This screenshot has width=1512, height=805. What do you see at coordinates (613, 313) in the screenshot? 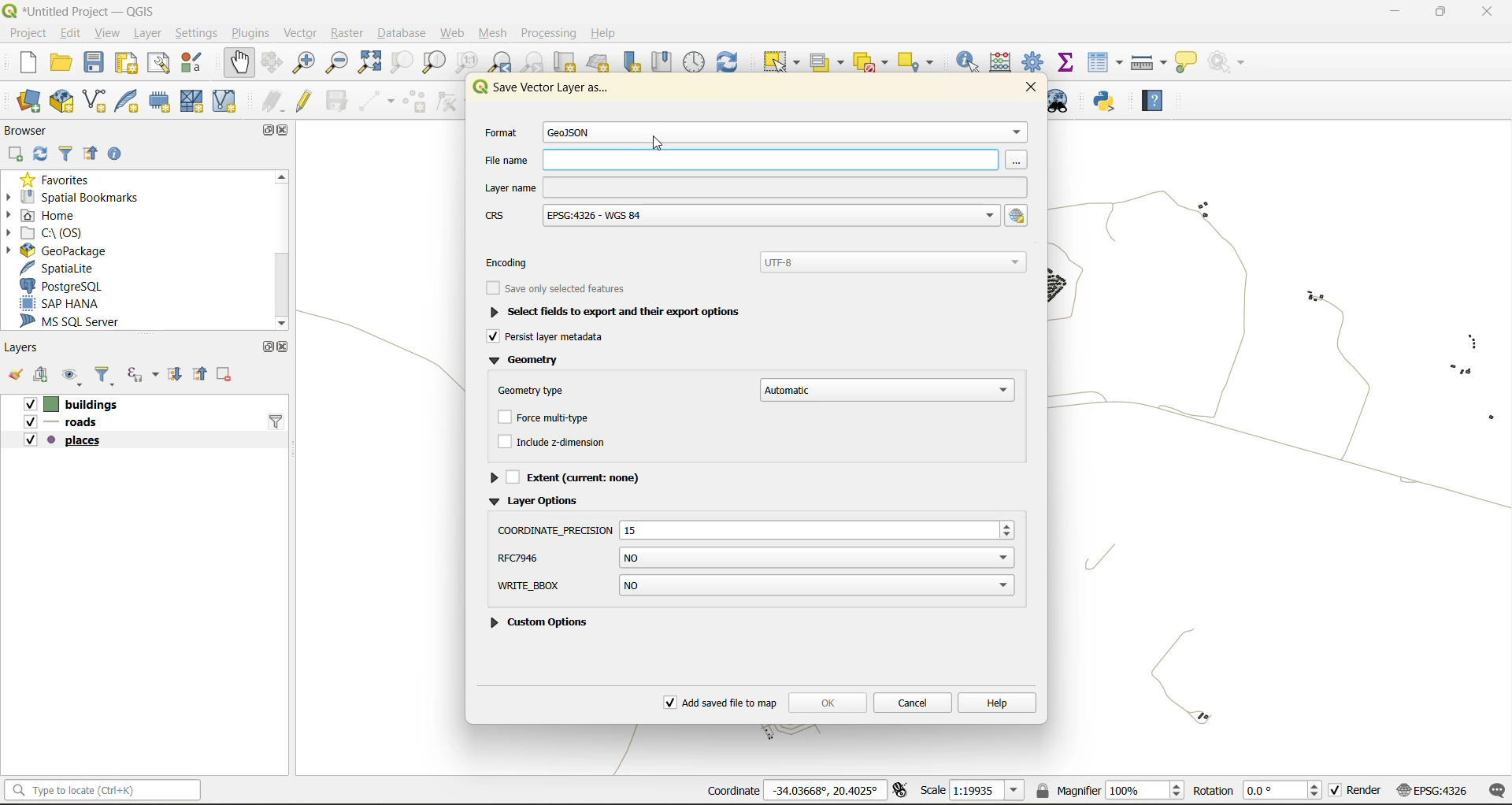
I see `selected fields to export and their export options` at bounding box center [613, 313].